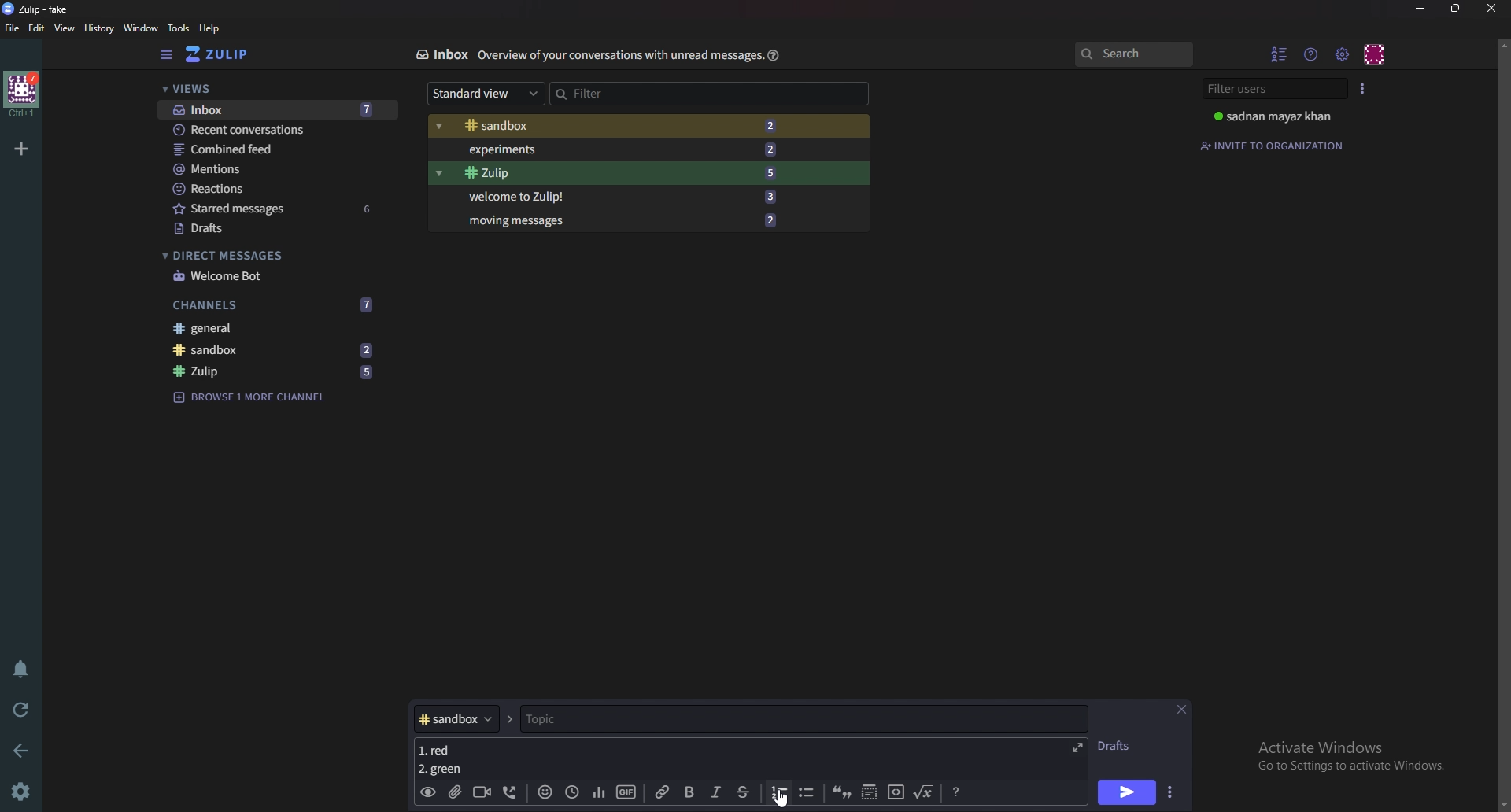 The height and width of the screenshot is (812, 1511). What do you see at coordinates (806, 793) in the screenshot?
I see `Bullet list` at bounding box center [806, 793].